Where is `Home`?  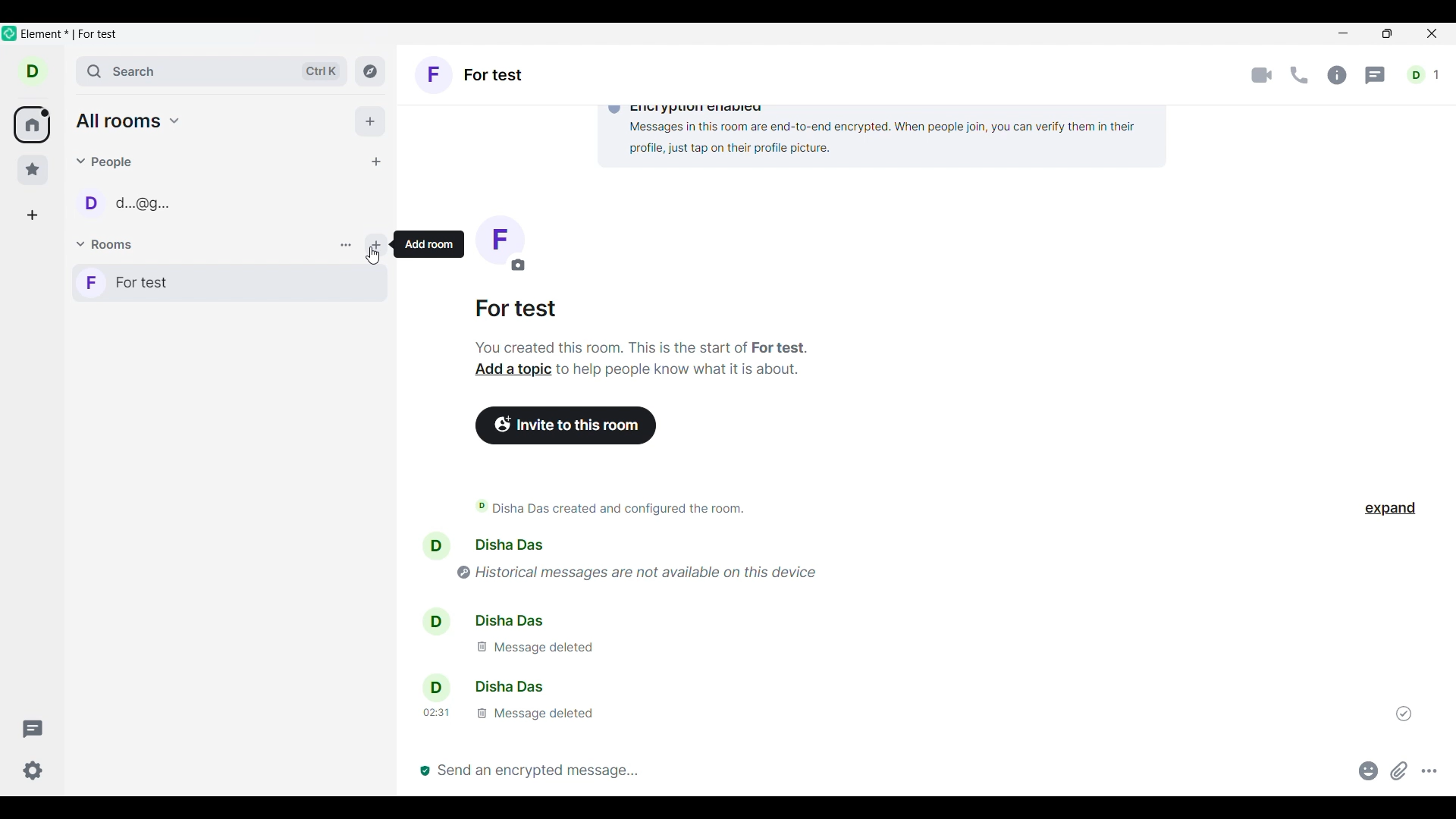
Home is located at coordinates (31, 124).